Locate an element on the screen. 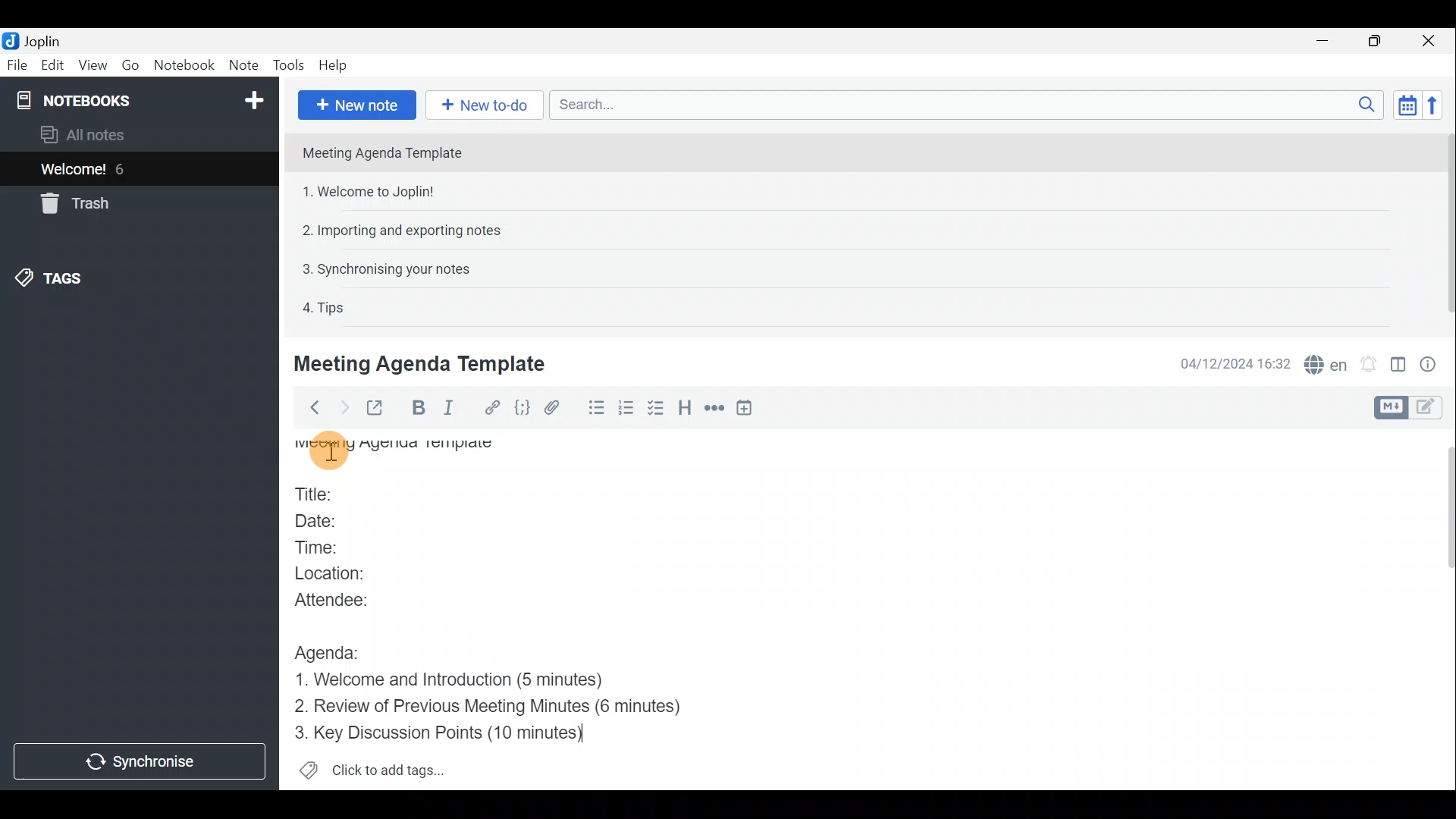 This screenshot has width=1456, height=819. Numbered list is located at coordinates (626, 410).